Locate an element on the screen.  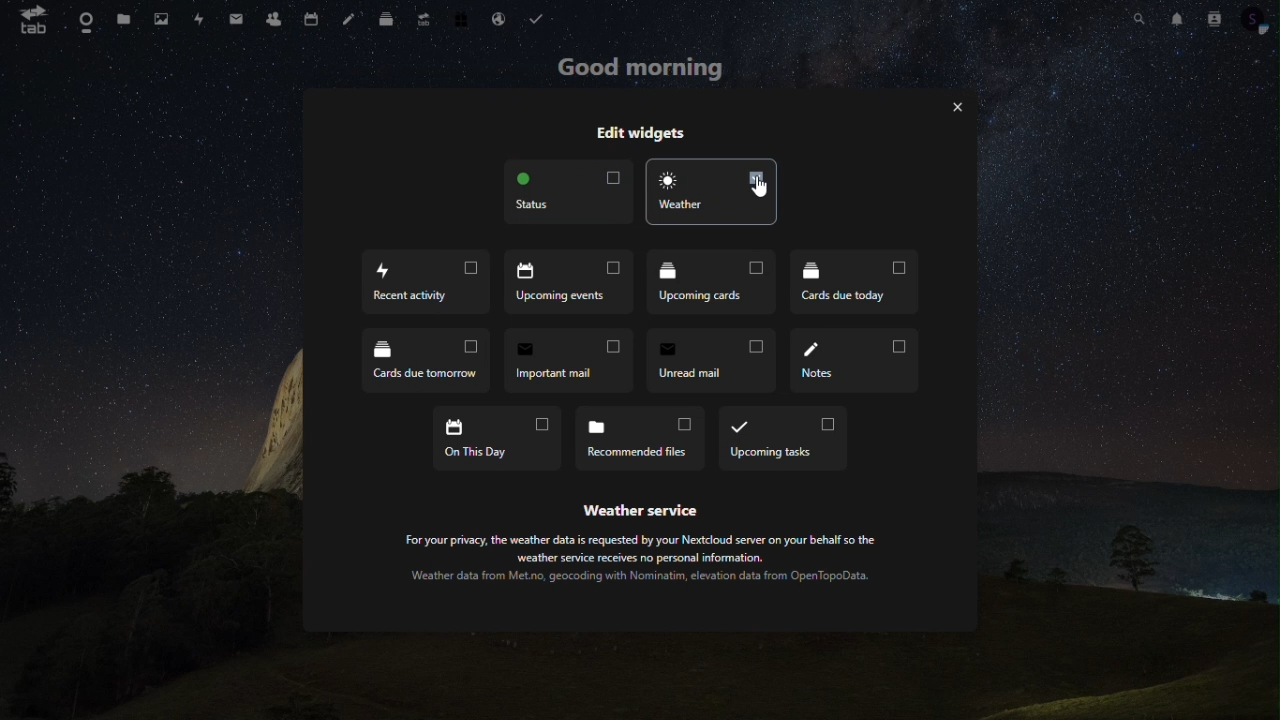
tasks is located at coordinates (536, 17).